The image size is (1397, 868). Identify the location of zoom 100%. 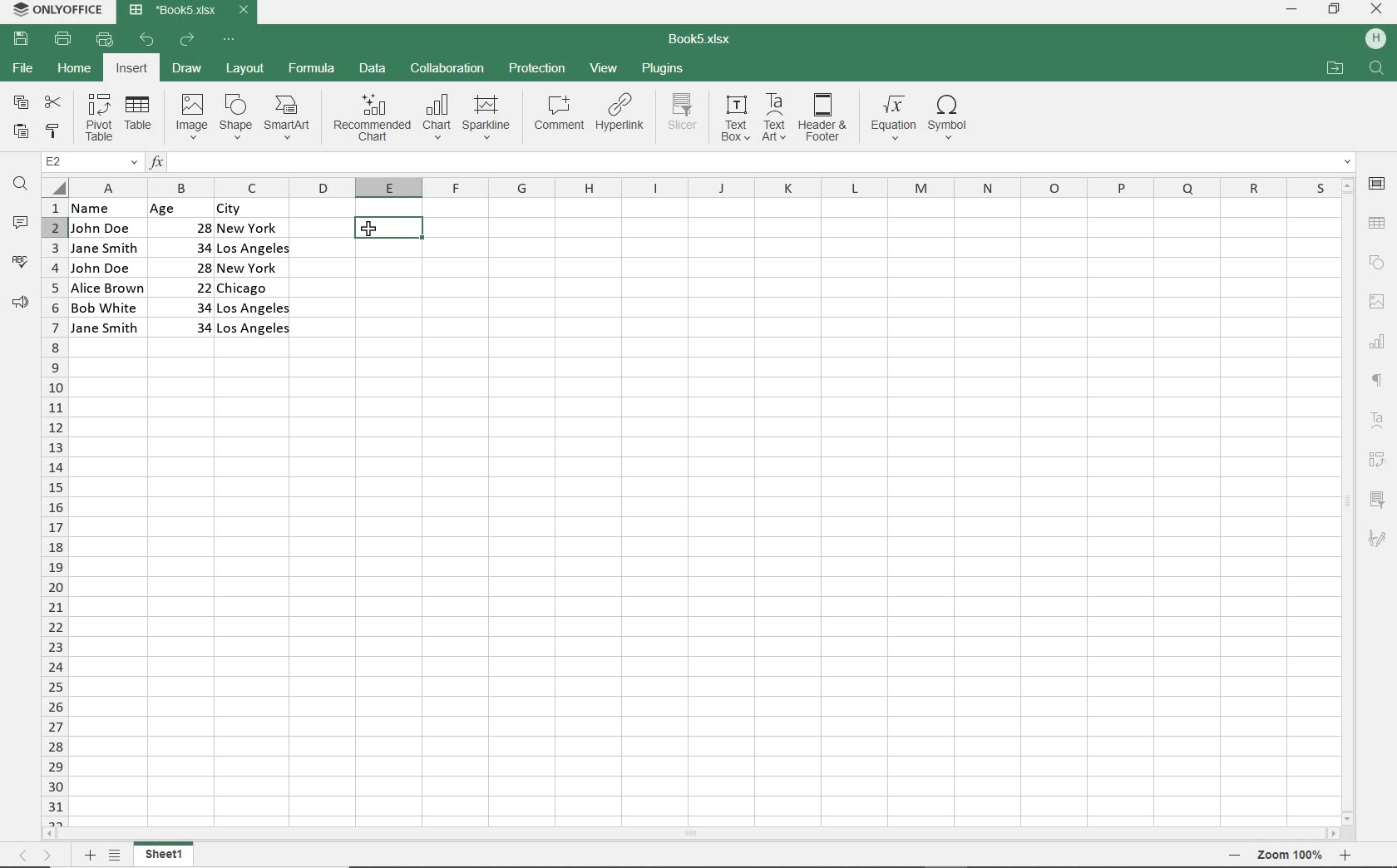
(1290, 855).